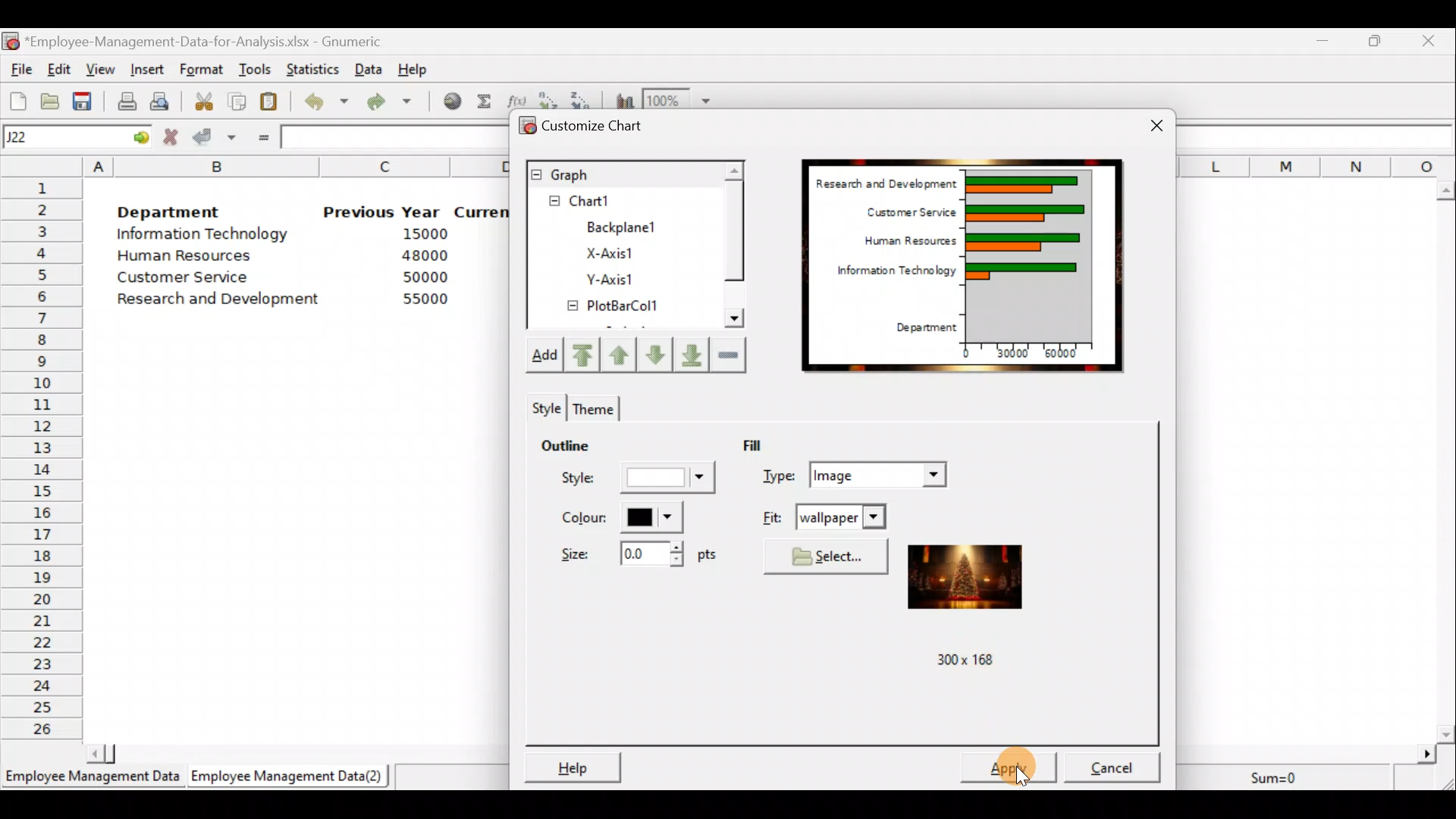  I want to click on Print preview, so click(161, 101).